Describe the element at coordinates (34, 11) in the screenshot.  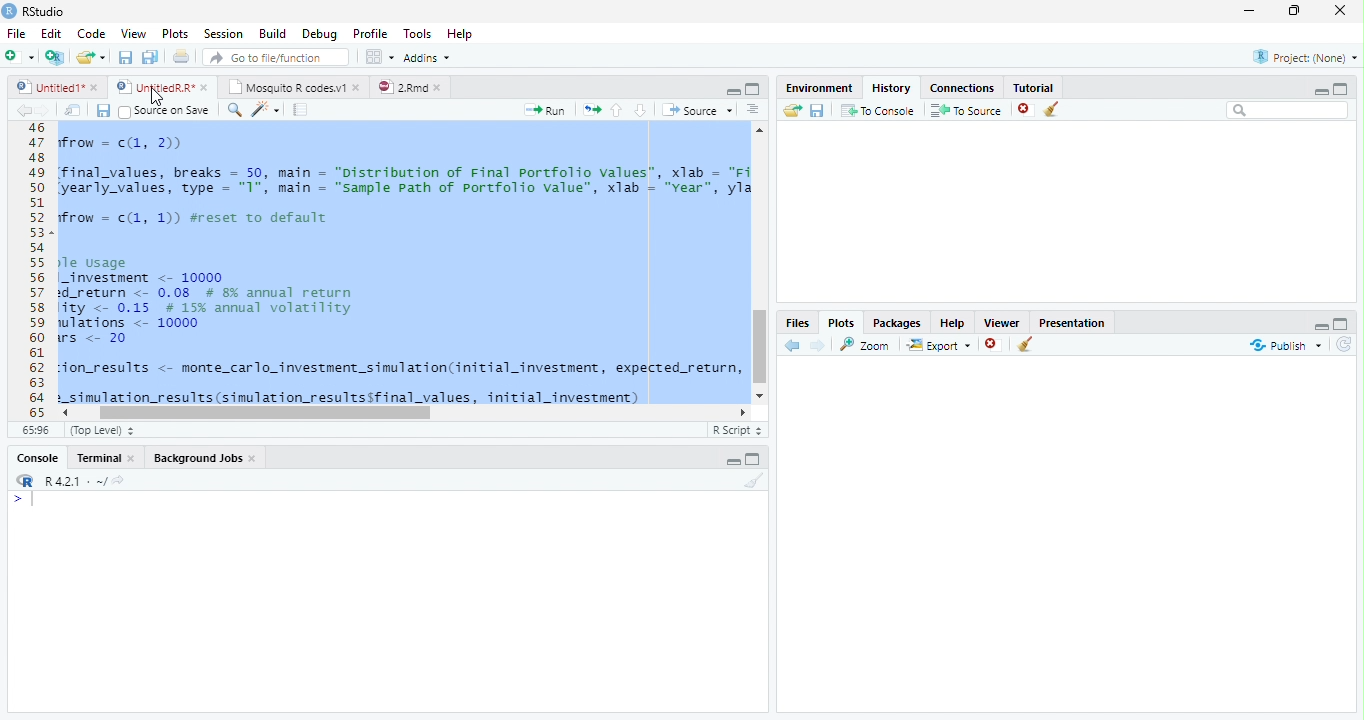
I see `RStudio` at that location.